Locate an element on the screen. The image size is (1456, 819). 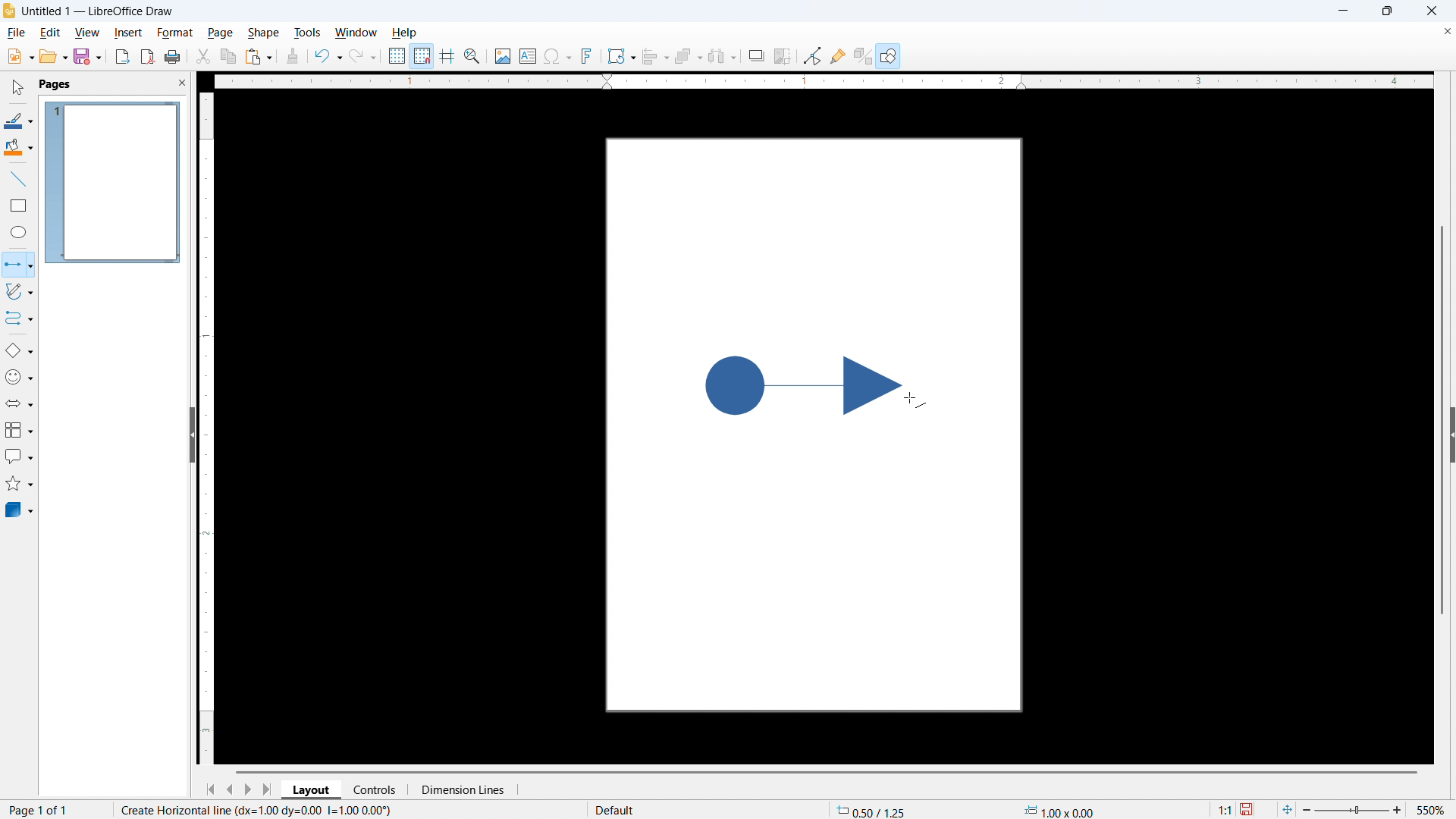
Page number  is located at coordinates (41, 808).